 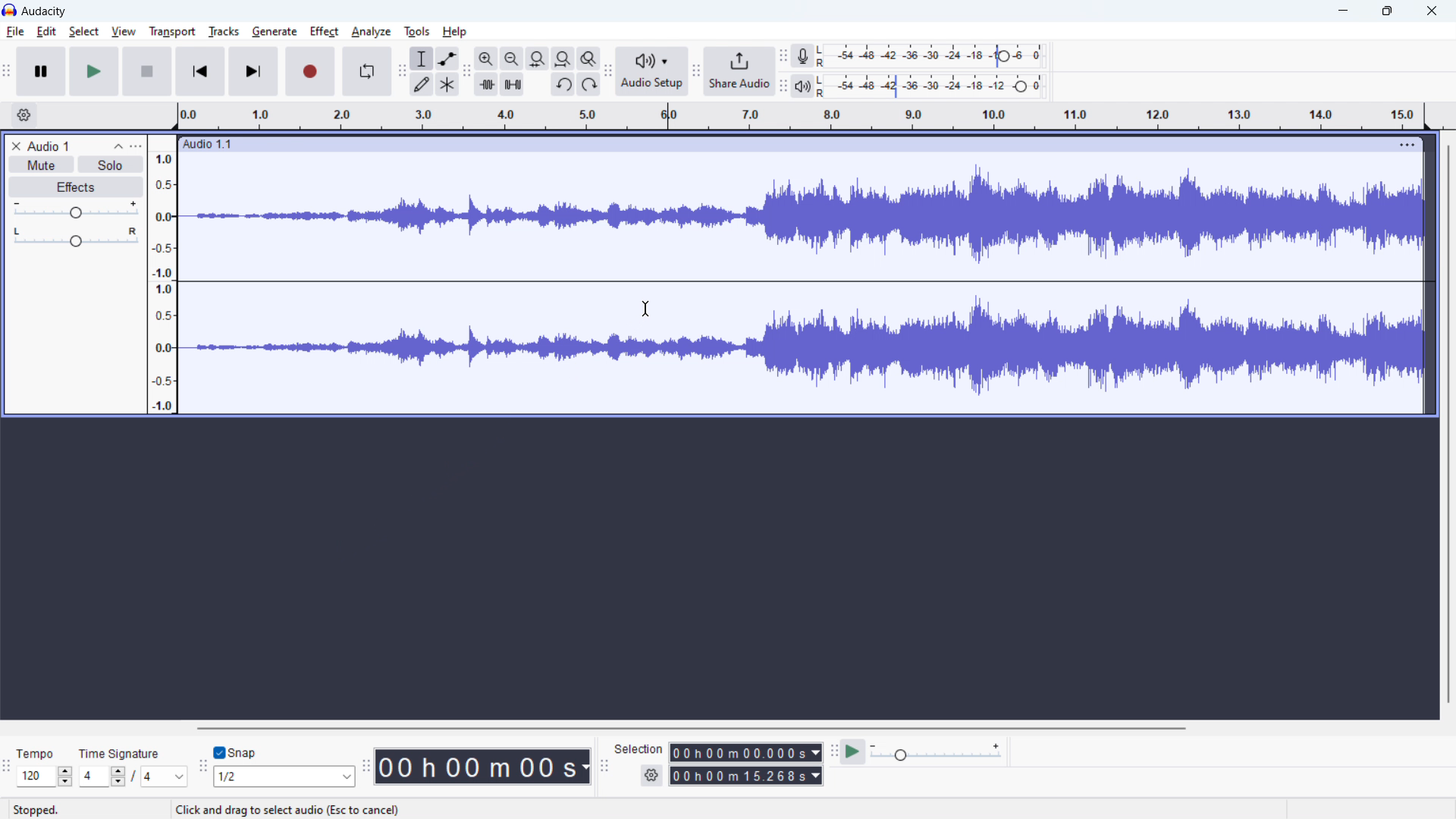 What do you see at coordinates (447, 58) in the screenshot?
I see `envelop tool` at bounding box center [447, 58].